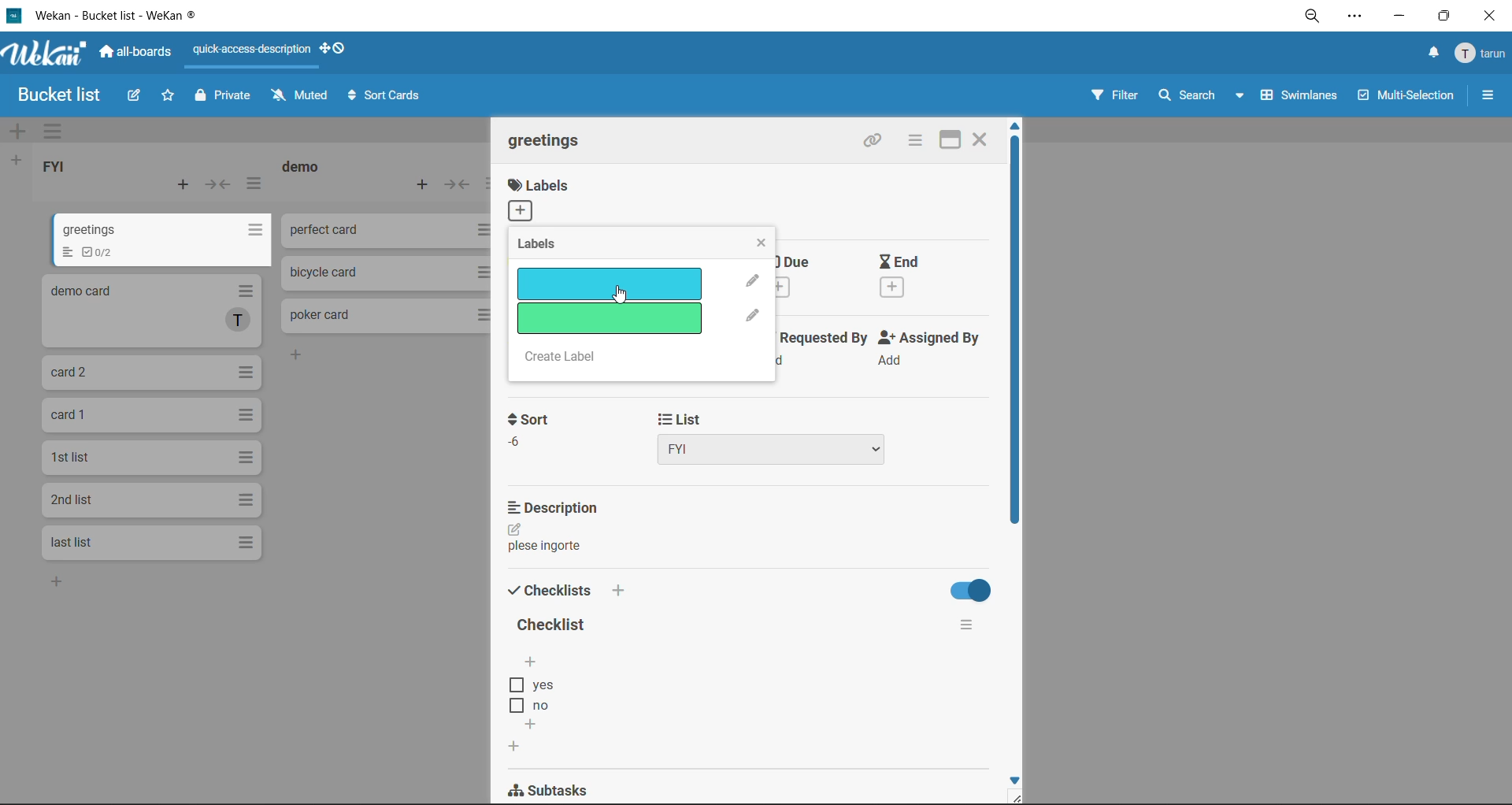 The height and width of the screenshot is (805, 1512). What do you see at coordinates (154, 372) in the screenshot?
I see `card 3` at bounding box center [154, 372].